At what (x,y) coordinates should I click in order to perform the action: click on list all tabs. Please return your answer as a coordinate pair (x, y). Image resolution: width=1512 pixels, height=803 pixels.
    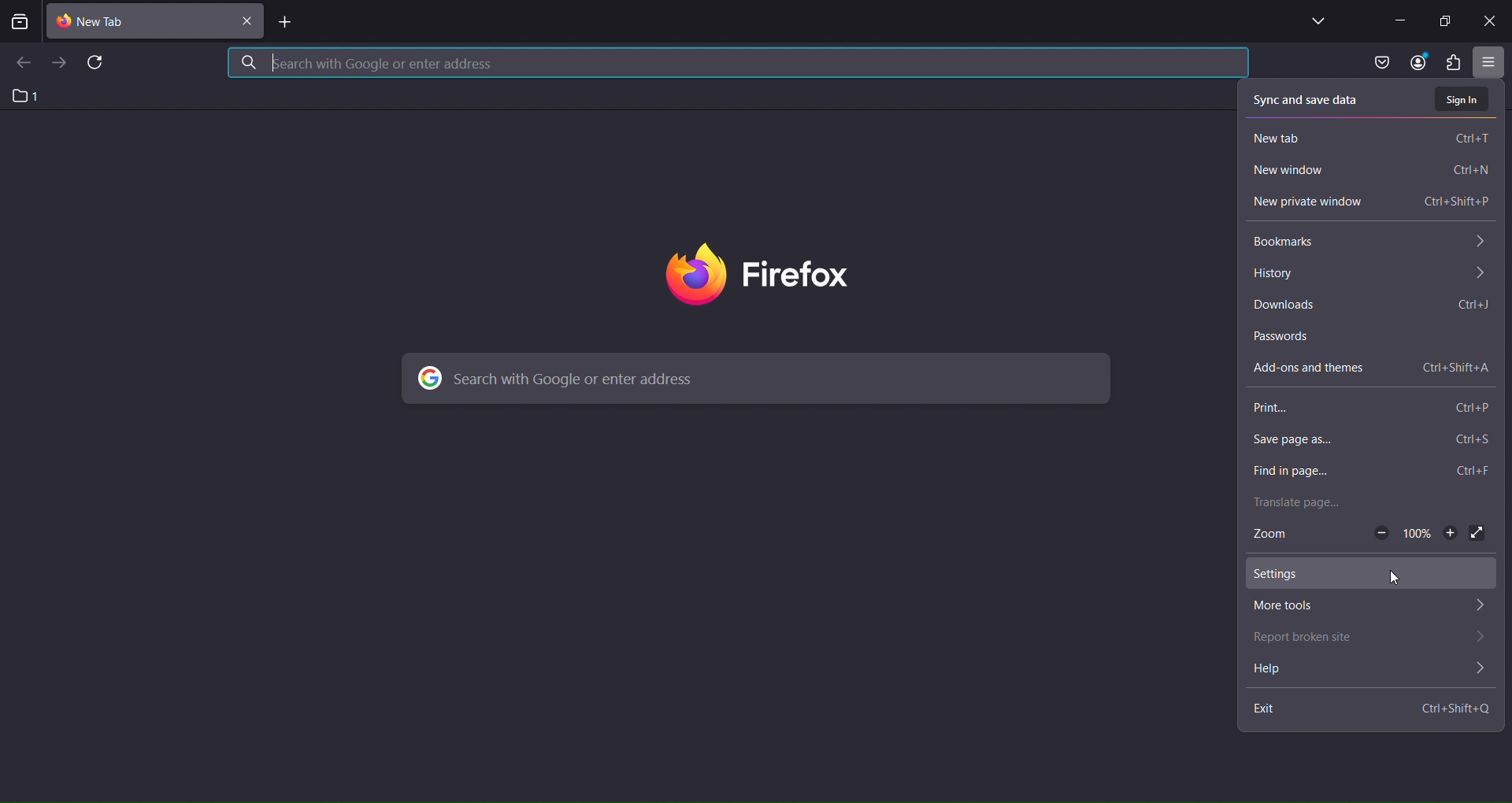
    Looking at the image, I should click on (1313, 22).